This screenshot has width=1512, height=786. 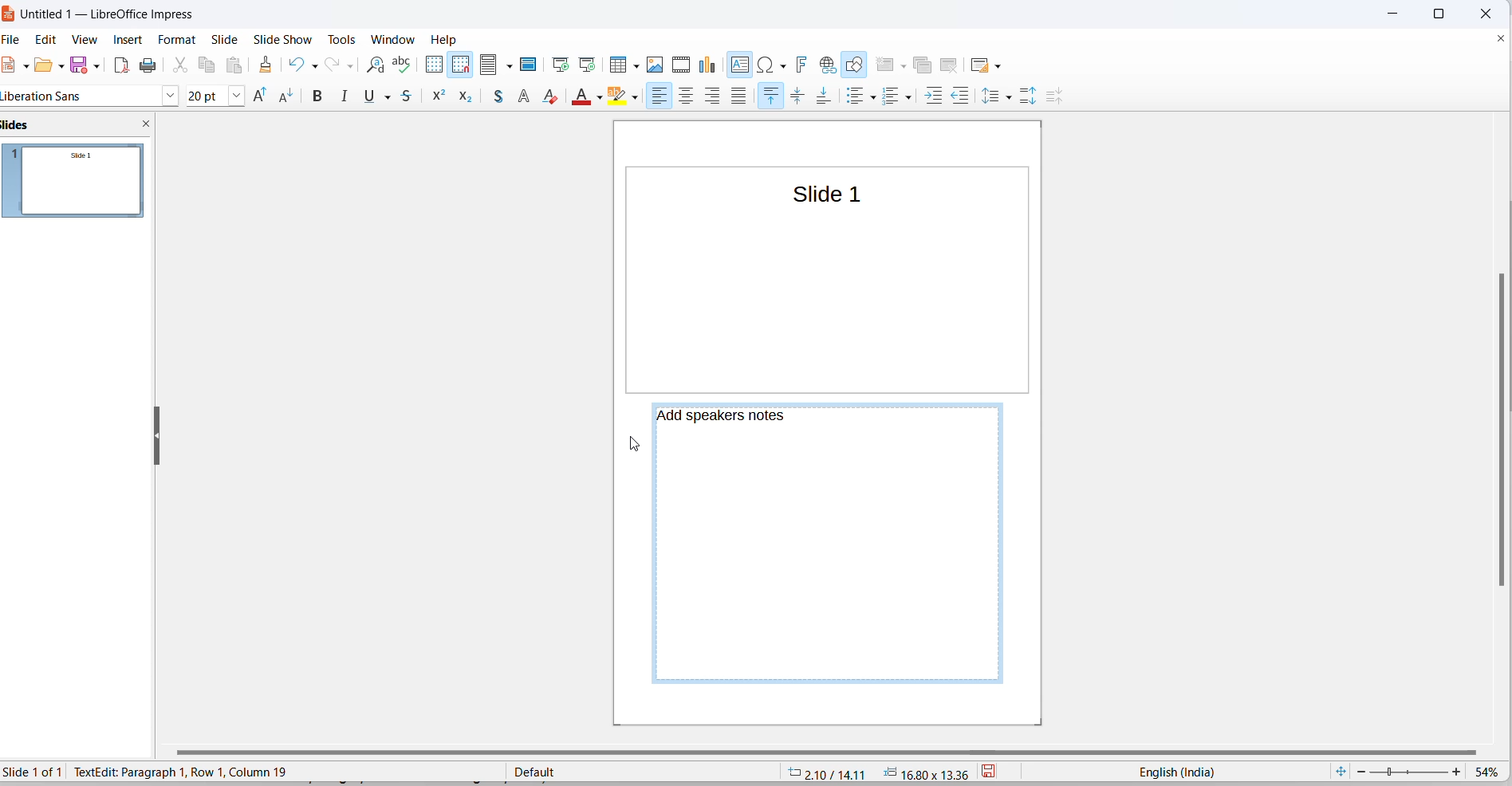 I want to click on toggle extrusion, so click(x=885, y=98).